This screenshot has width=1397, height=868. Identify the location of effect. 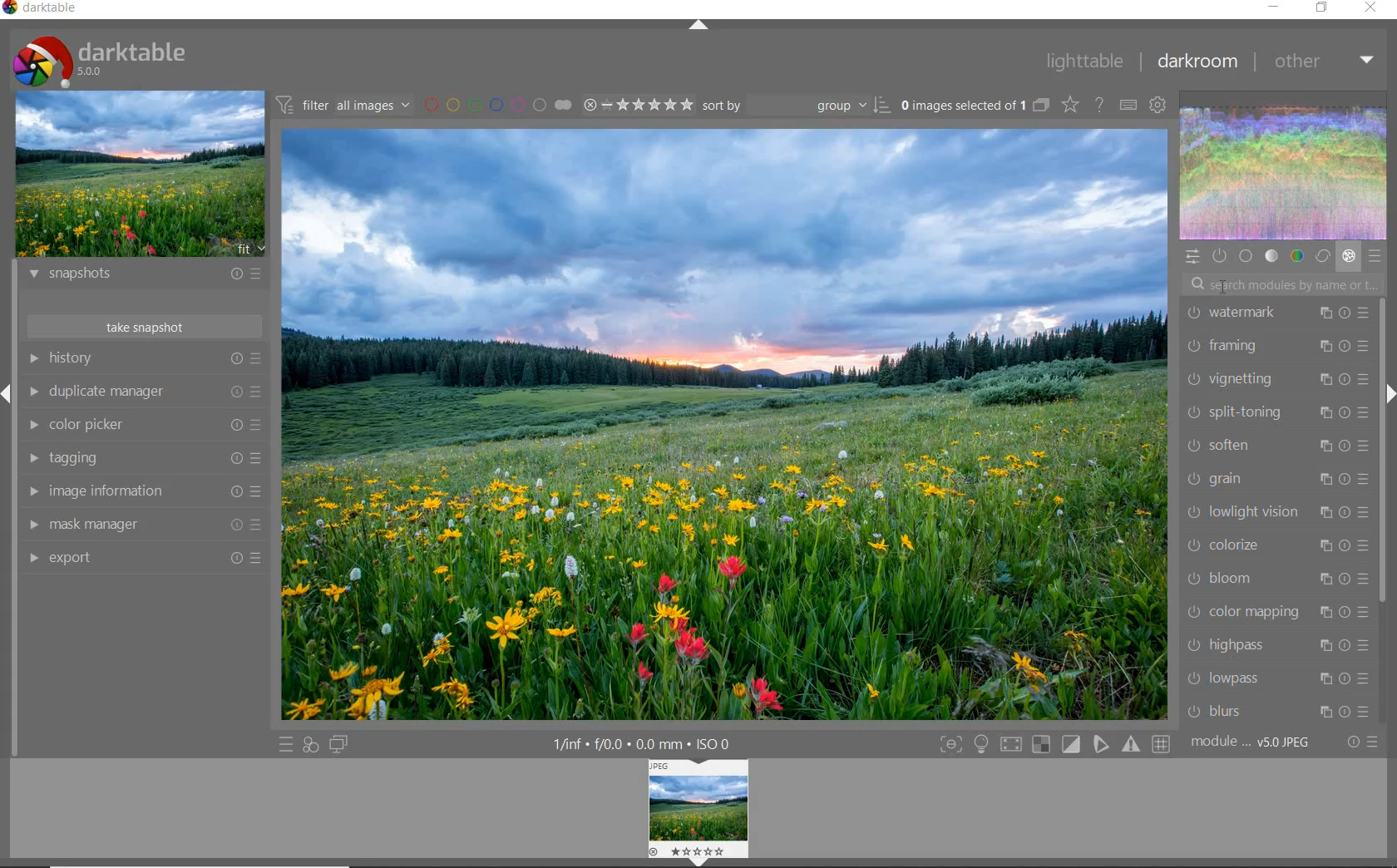
(1348, 258).